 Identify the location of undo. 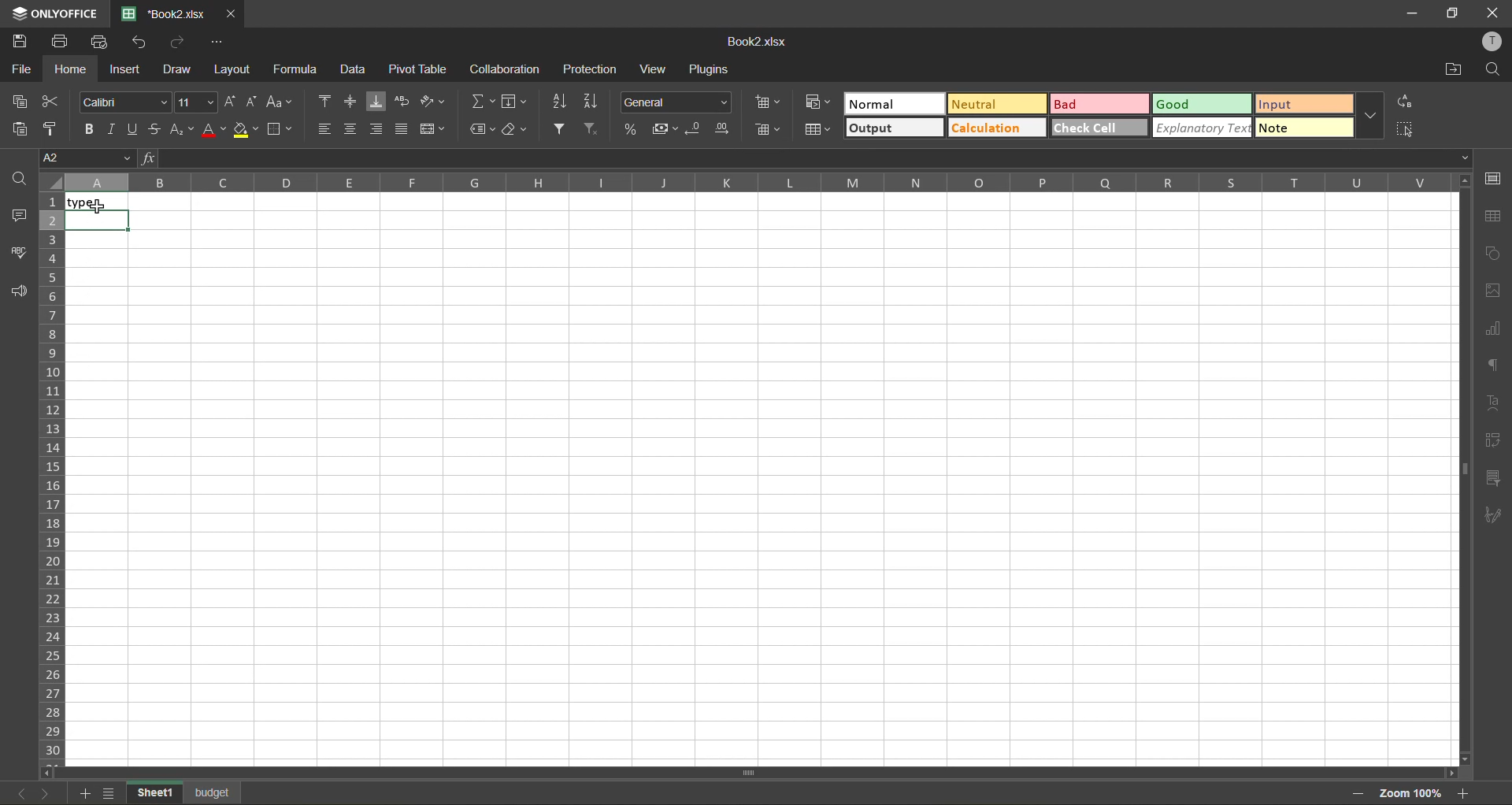
(143, 43).